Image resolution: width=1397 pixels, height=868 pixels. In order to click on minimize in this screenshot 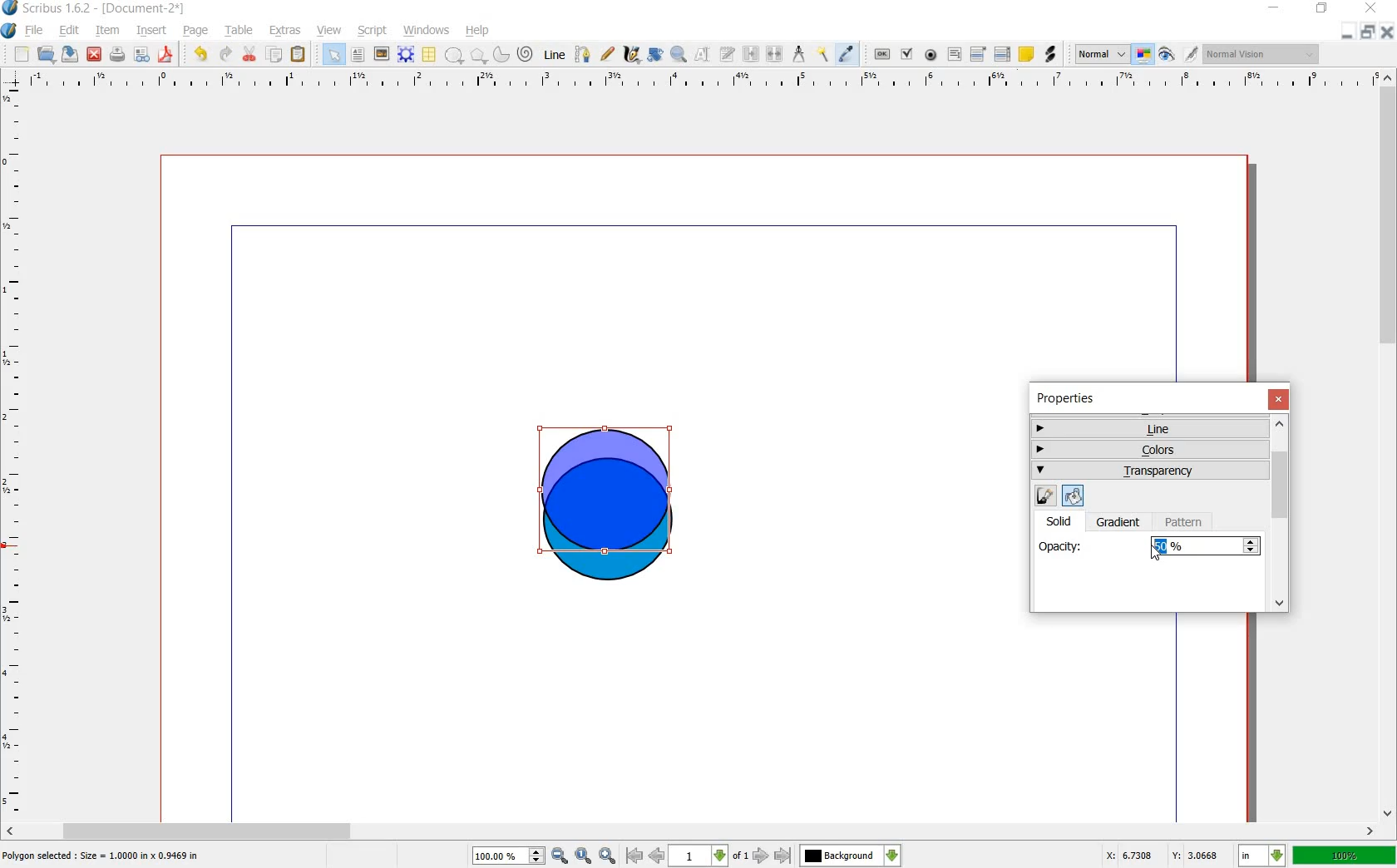, I will do `click(1346, 33)`.